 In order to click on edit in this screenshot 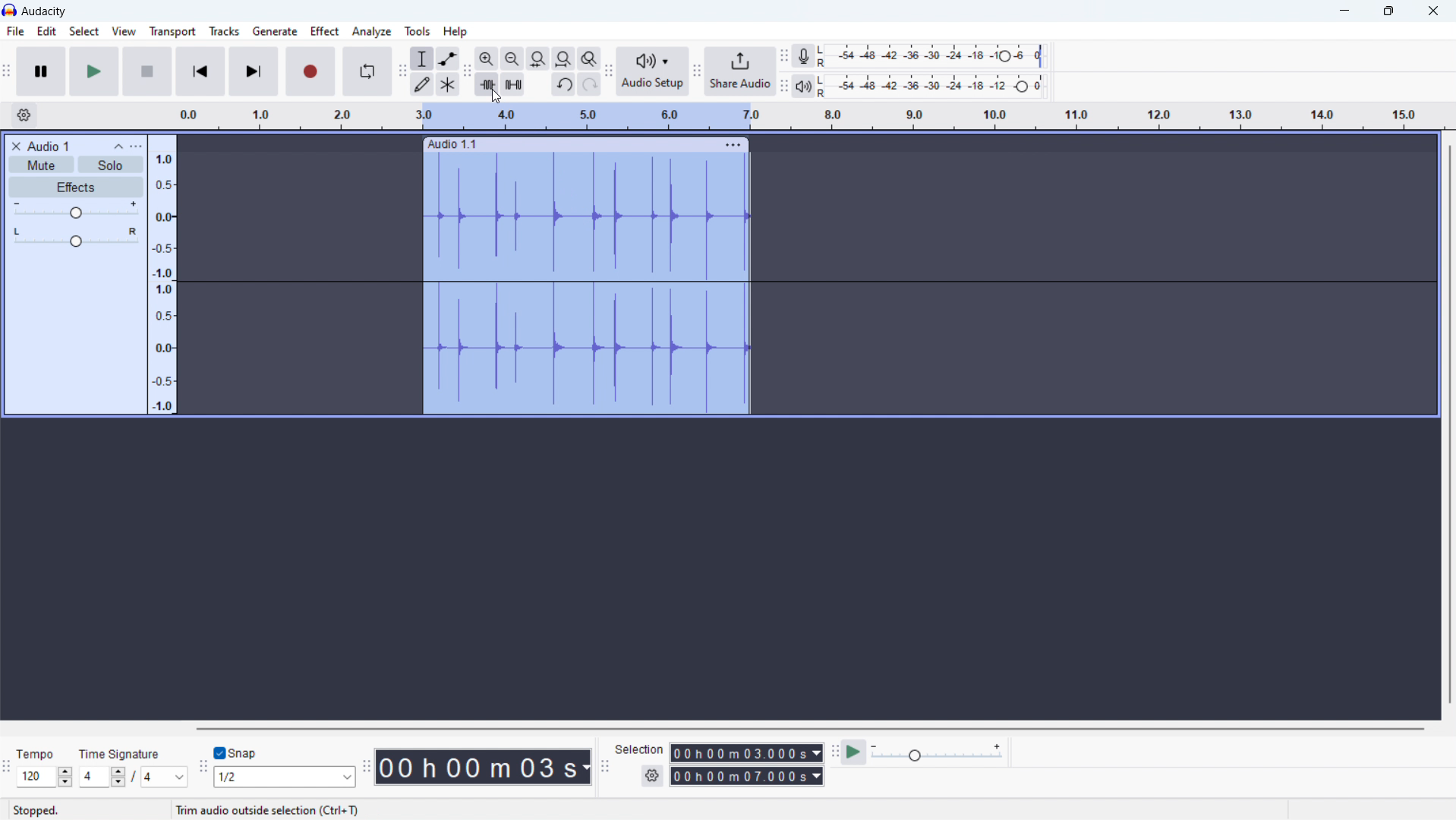, I will do `click(46, 31)`.